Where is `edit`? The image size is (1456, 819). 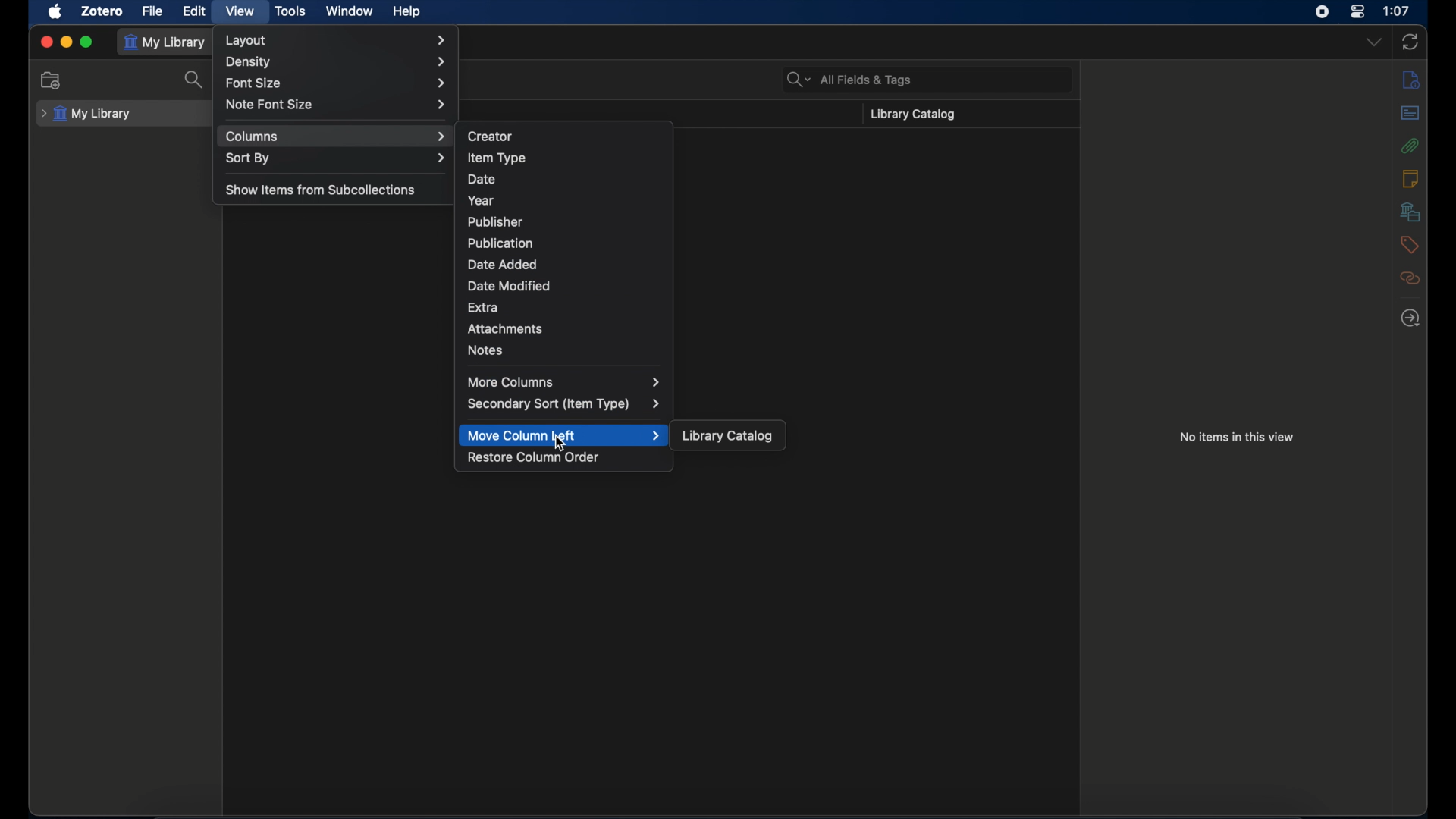
edit is located at coordinates (196, 11).